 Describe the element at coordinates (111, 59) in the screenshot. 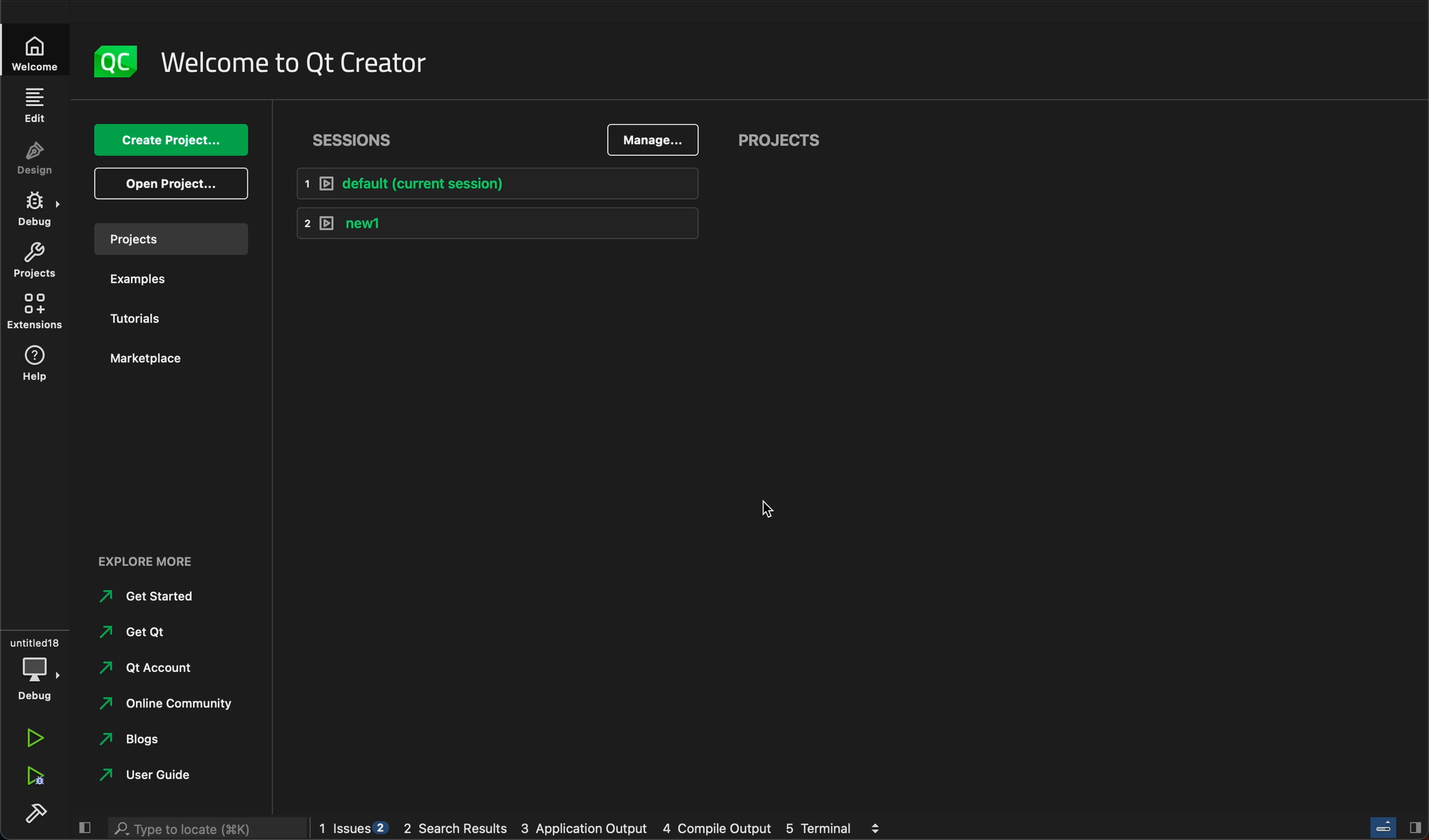

I see `logo` at that location.